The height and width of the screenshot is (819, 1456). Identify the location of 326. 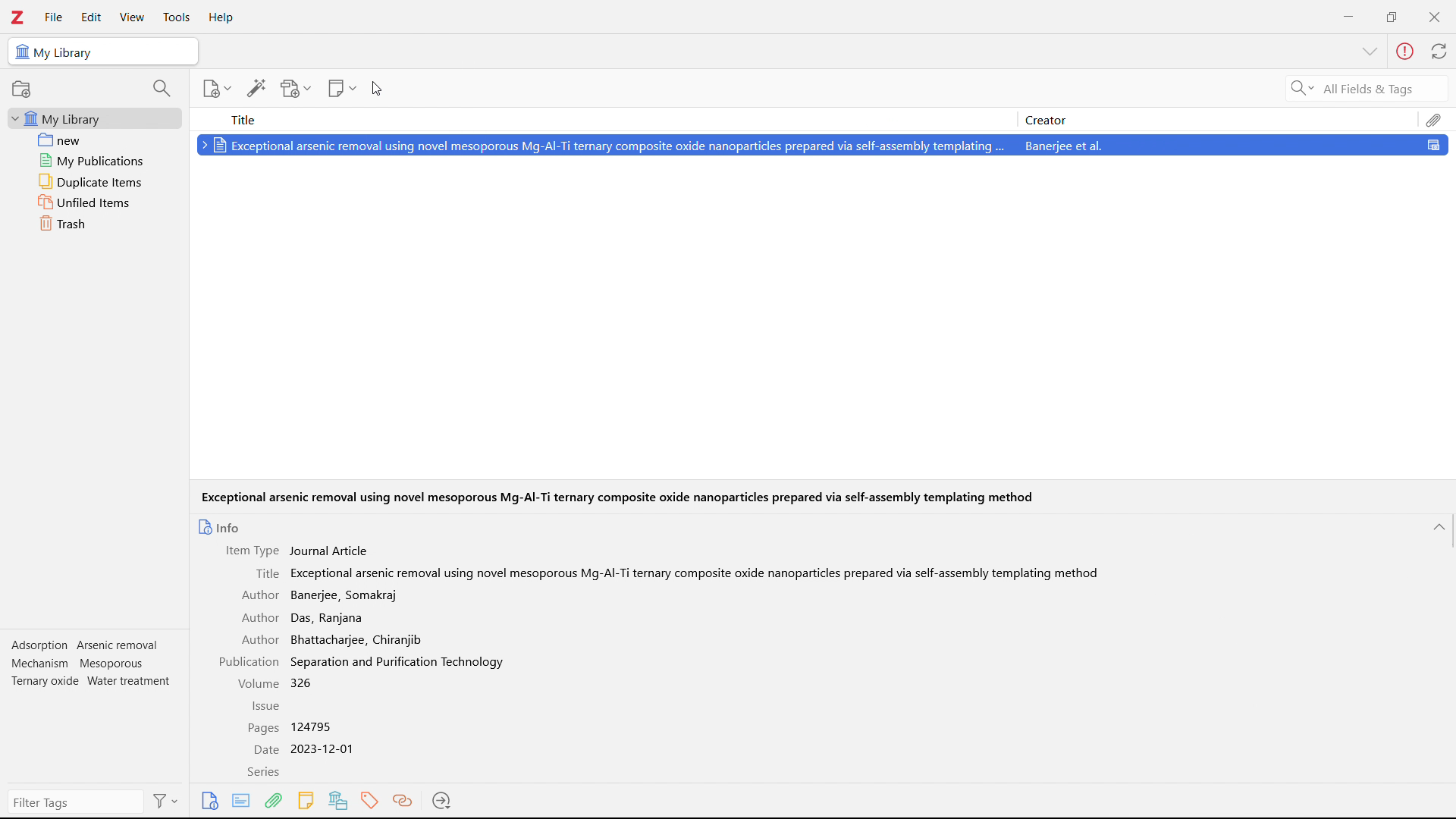
(303, 682).